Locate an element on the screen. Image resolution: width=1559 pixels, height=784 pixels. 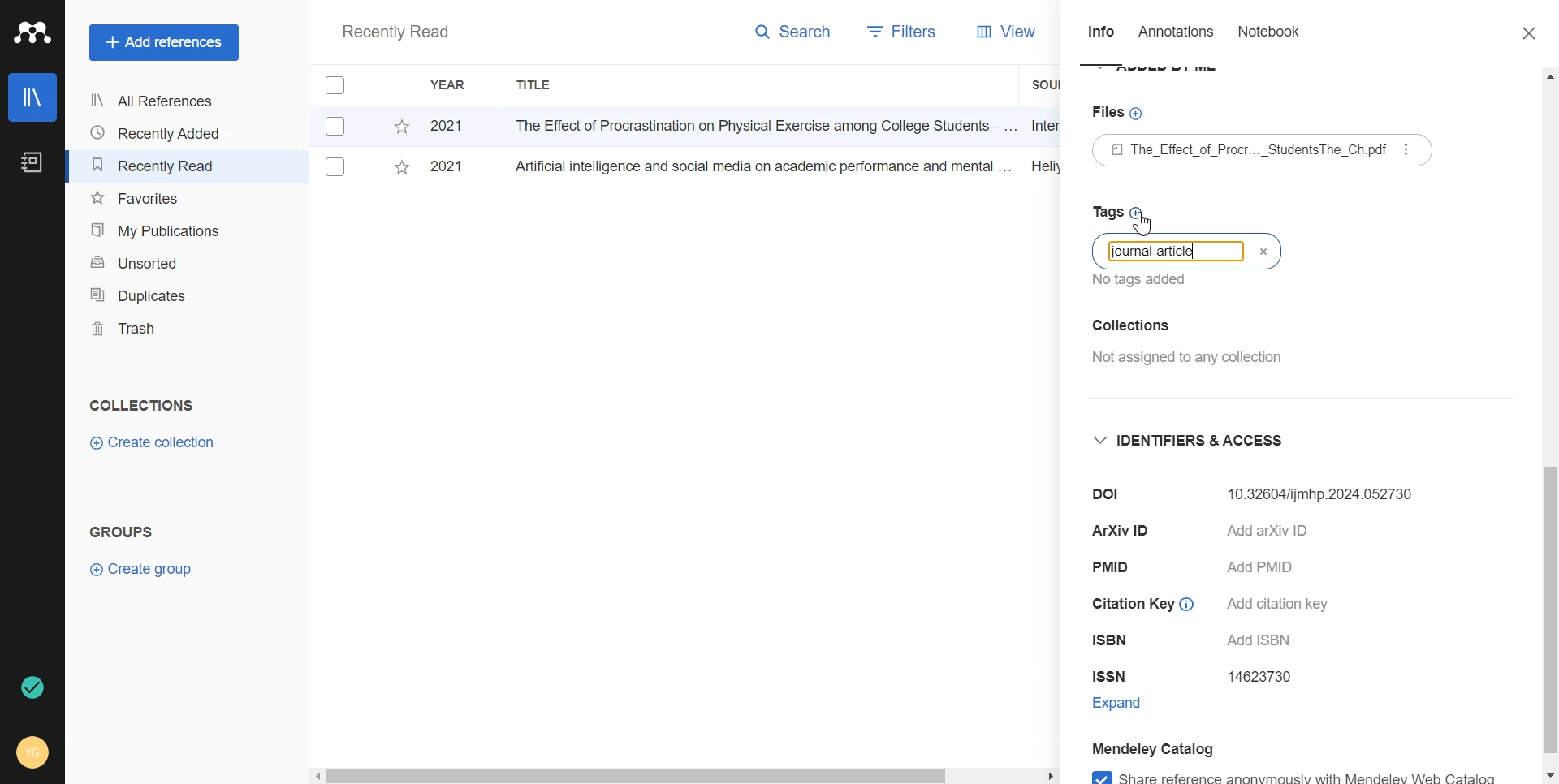
Filters is located at coordinates (901, 33).